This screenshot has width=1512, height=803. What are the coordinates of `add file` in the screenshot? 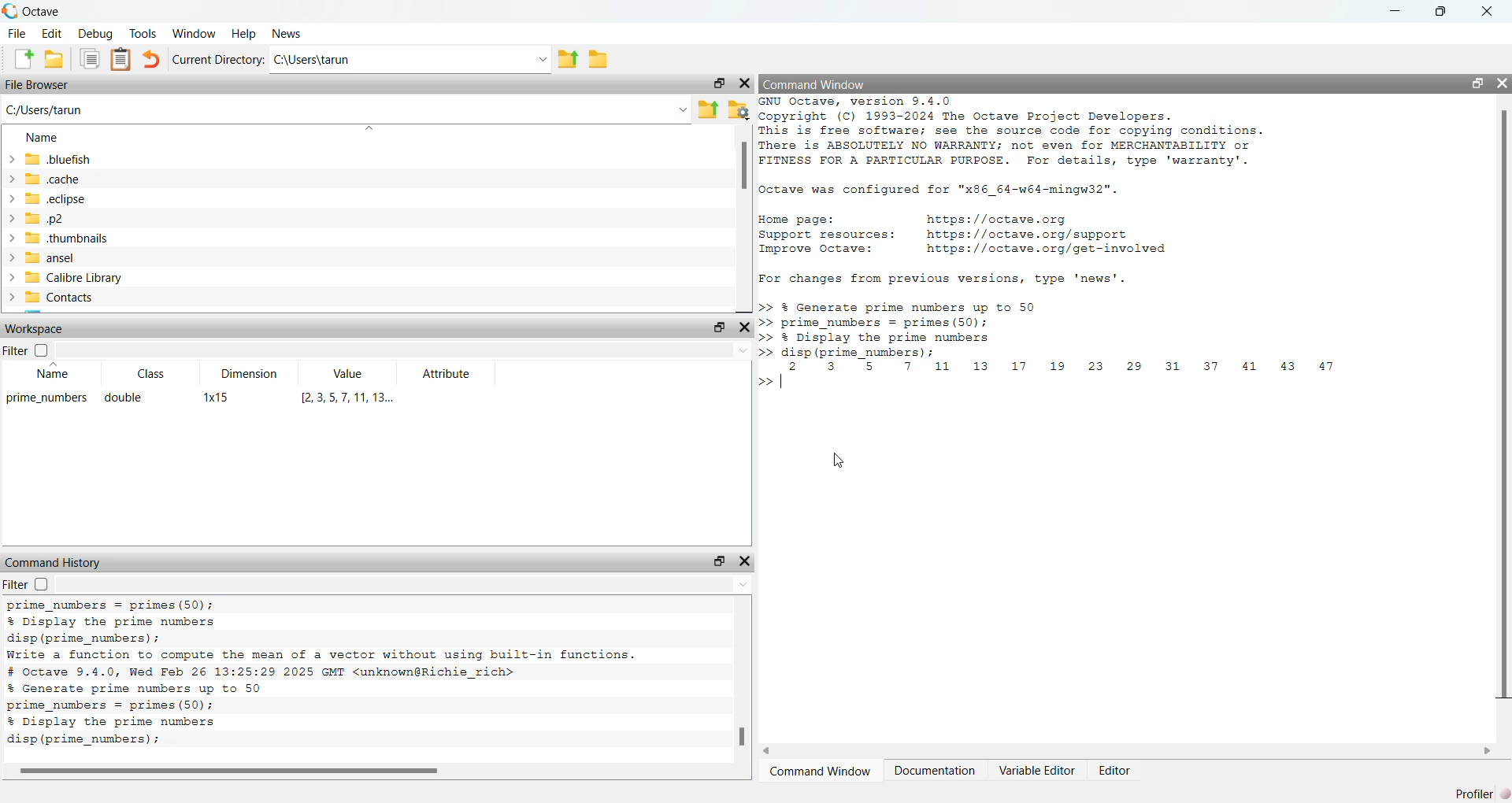 It's located at (23, 60).